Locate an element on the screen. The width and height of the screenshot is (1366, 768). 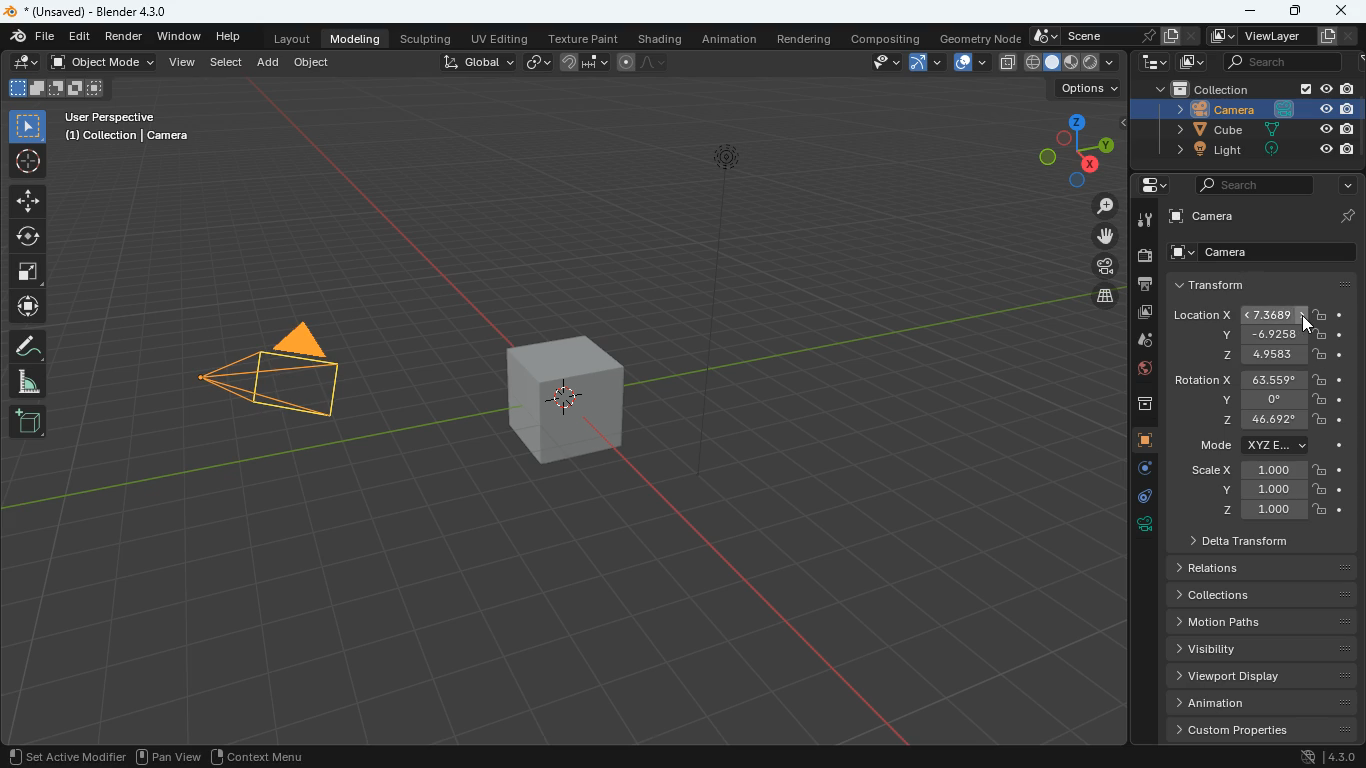
4.3.0 is located at coordinates (1328, 756).